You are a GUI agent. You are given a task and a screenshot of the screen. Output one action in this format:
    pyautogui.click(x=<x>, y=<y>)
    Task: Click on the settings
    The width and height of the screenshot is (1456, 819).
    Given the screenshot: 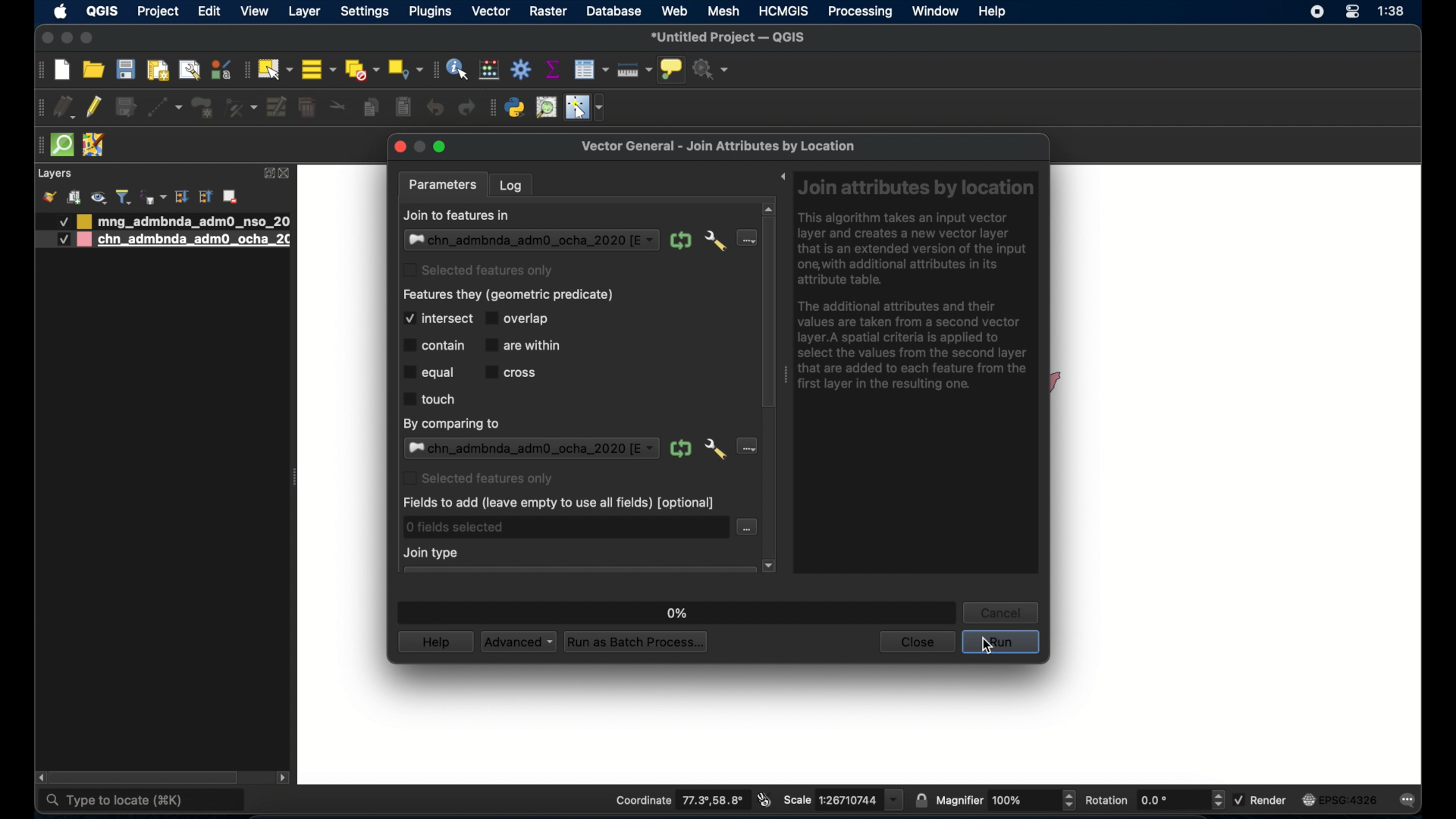 What is the action you would take?
    pyautogui.click(x=366, y=12)
    